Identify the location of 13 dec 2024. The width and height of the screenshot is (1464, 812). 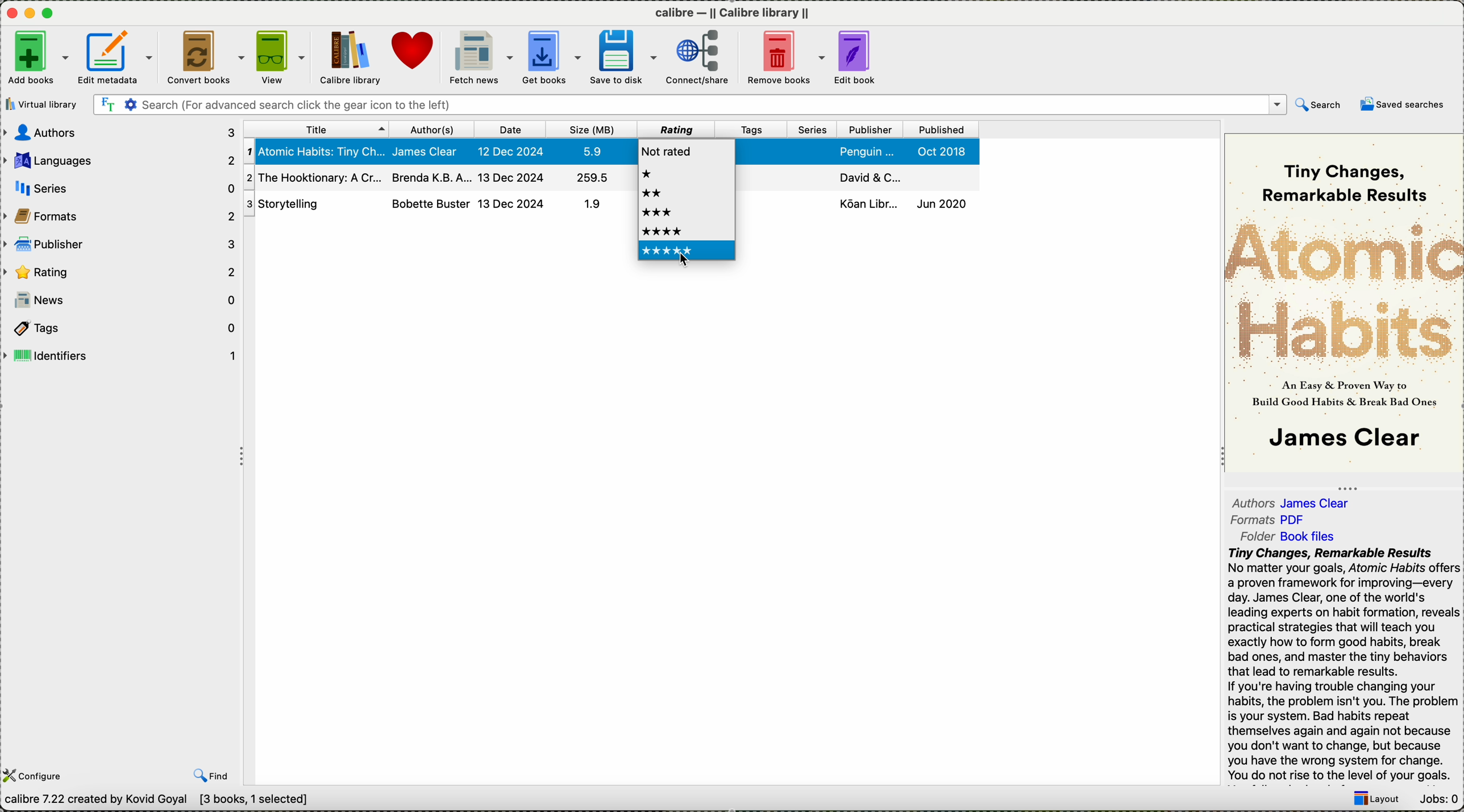
(510, 203).